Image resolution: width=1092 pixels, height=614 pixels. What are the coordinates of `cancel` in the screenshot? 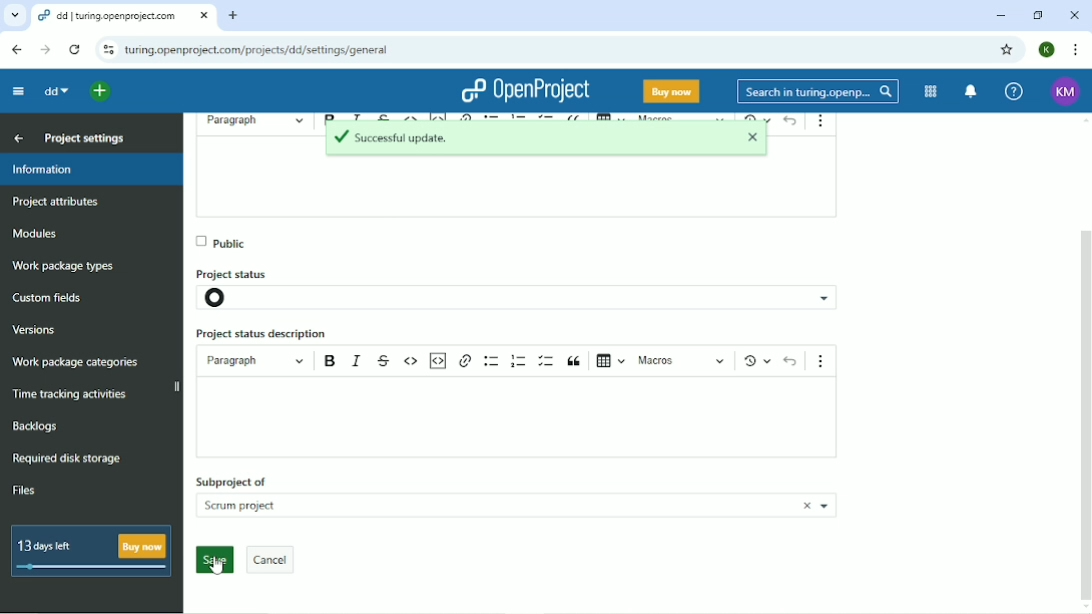 It's located at (274, 558).